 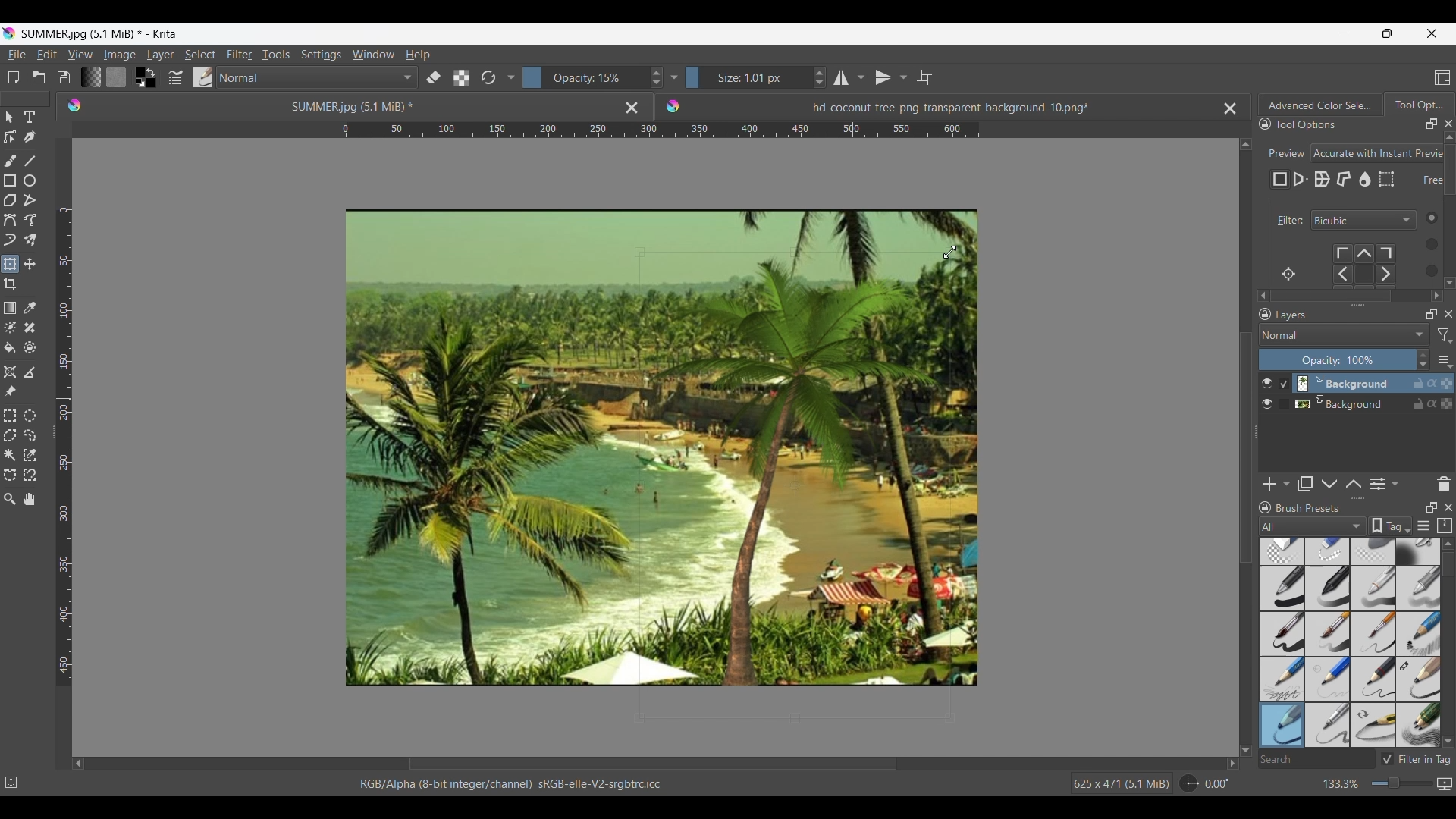 What do you see at coordinates (1328, 588) in the screenshot?
I see `basic2-opacity` at bounding box center [1328, 588].